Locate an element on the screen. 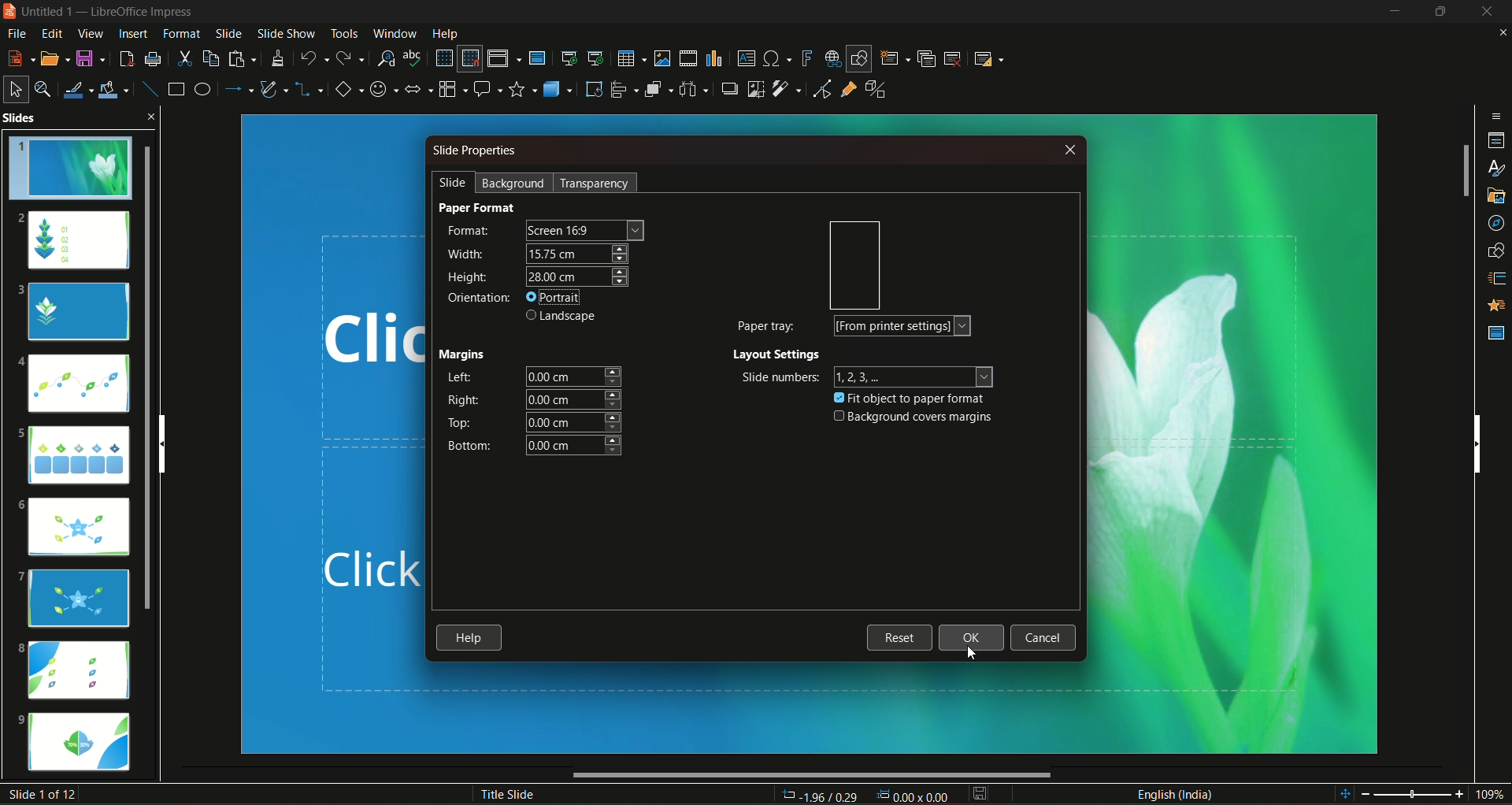 This screenshot has height=805, width=1512. slide 9 is located at coordinates (83, 744).